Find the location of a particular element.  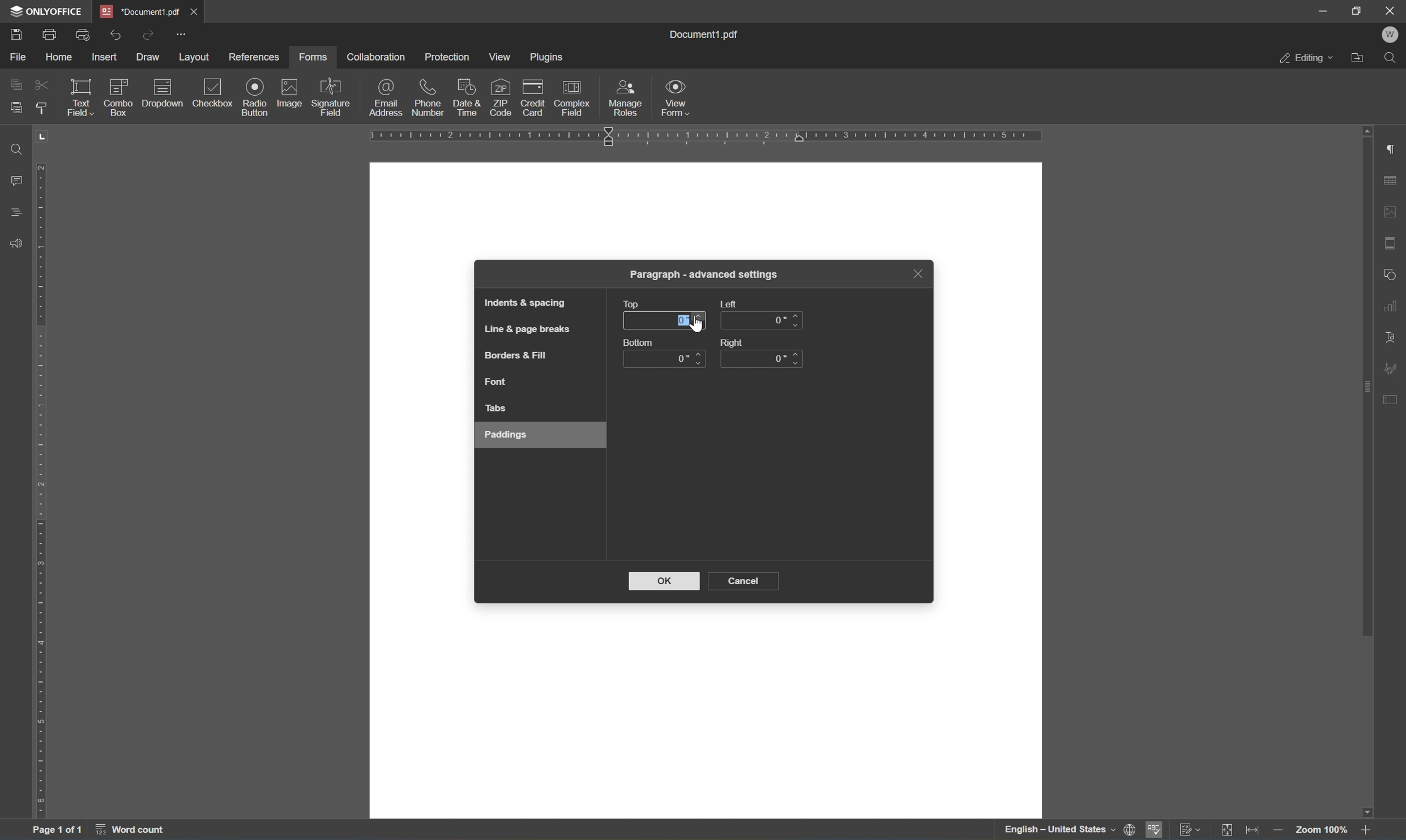

customize quick access toolbar is located at coordinates (183, 33).